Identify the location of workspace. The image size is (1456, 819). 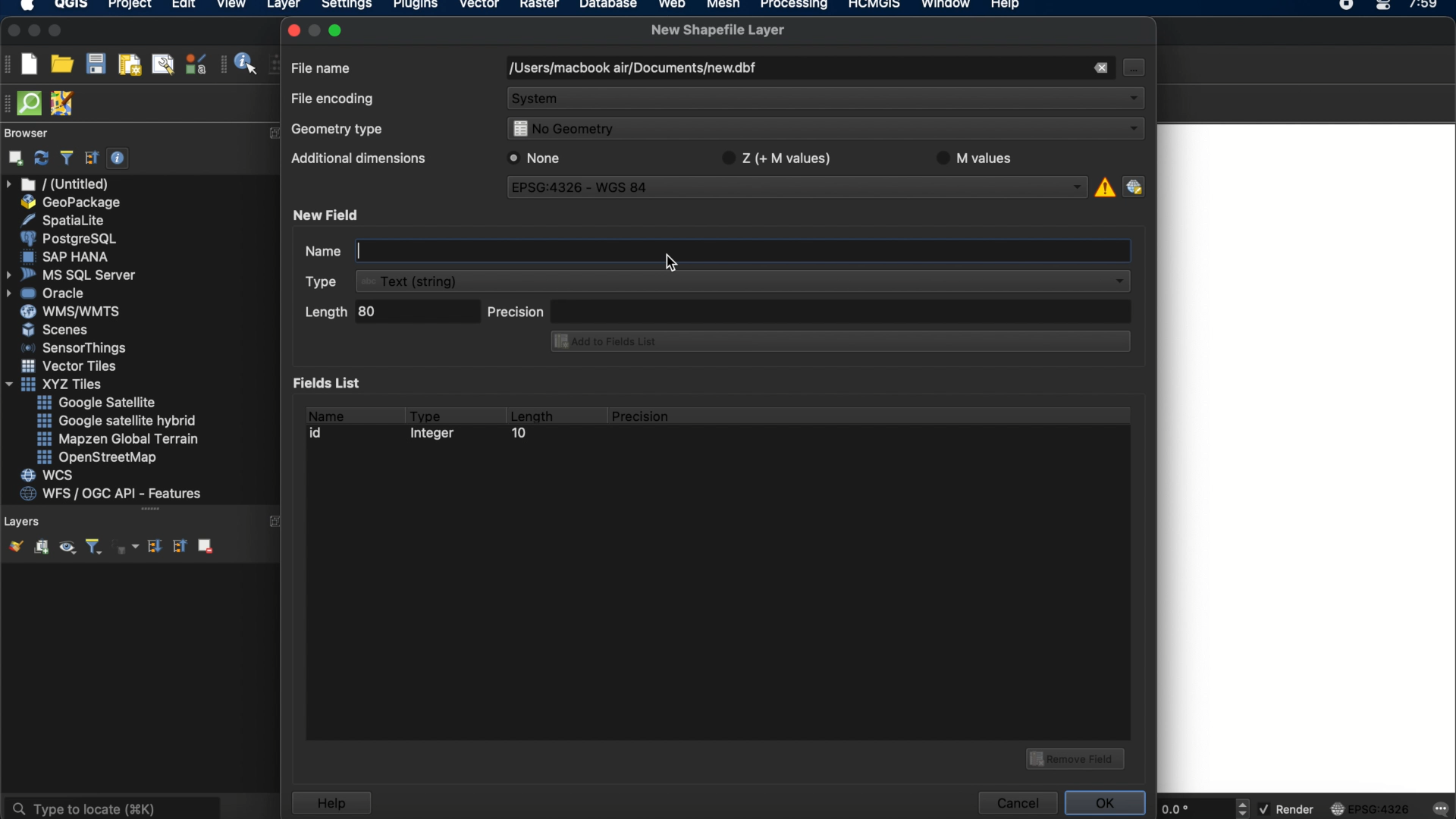
(1307, 460).